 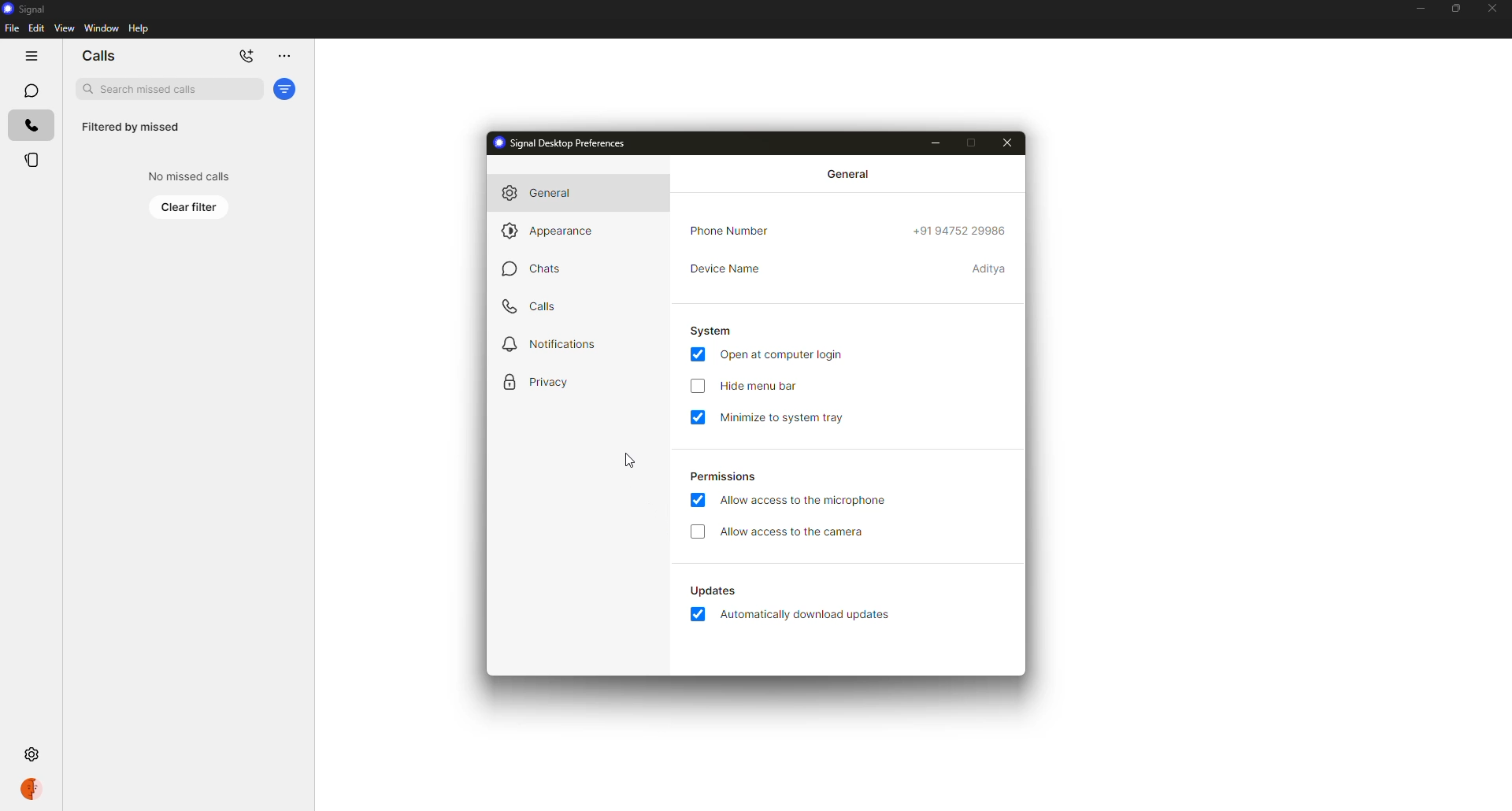 What do you see at coordinates (140, 28) in the screenshot?
I see `help` at bounding box center [140, 28].